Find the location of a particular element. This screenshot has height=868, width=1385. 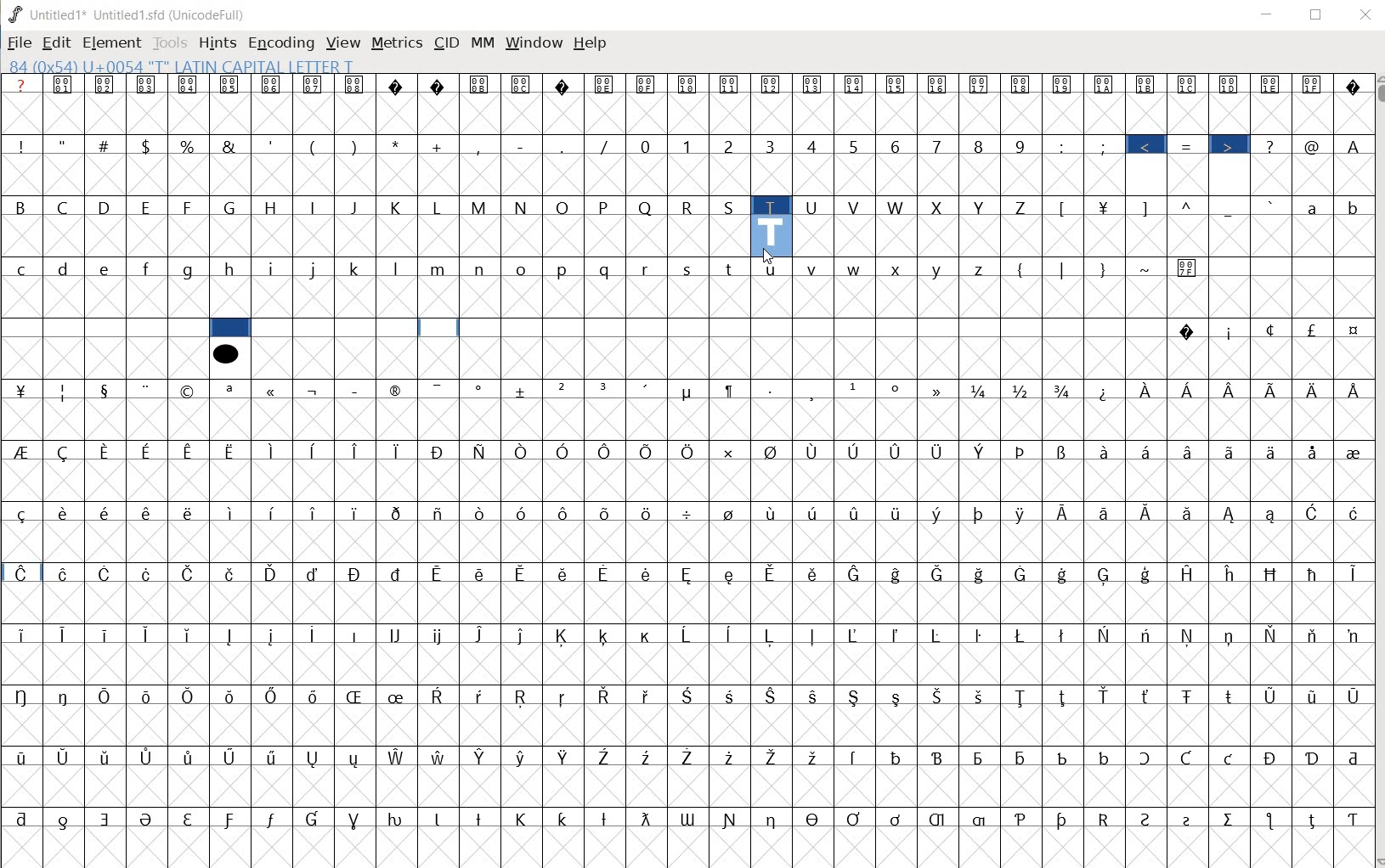

Symbol is located at coordinates (647, 511).